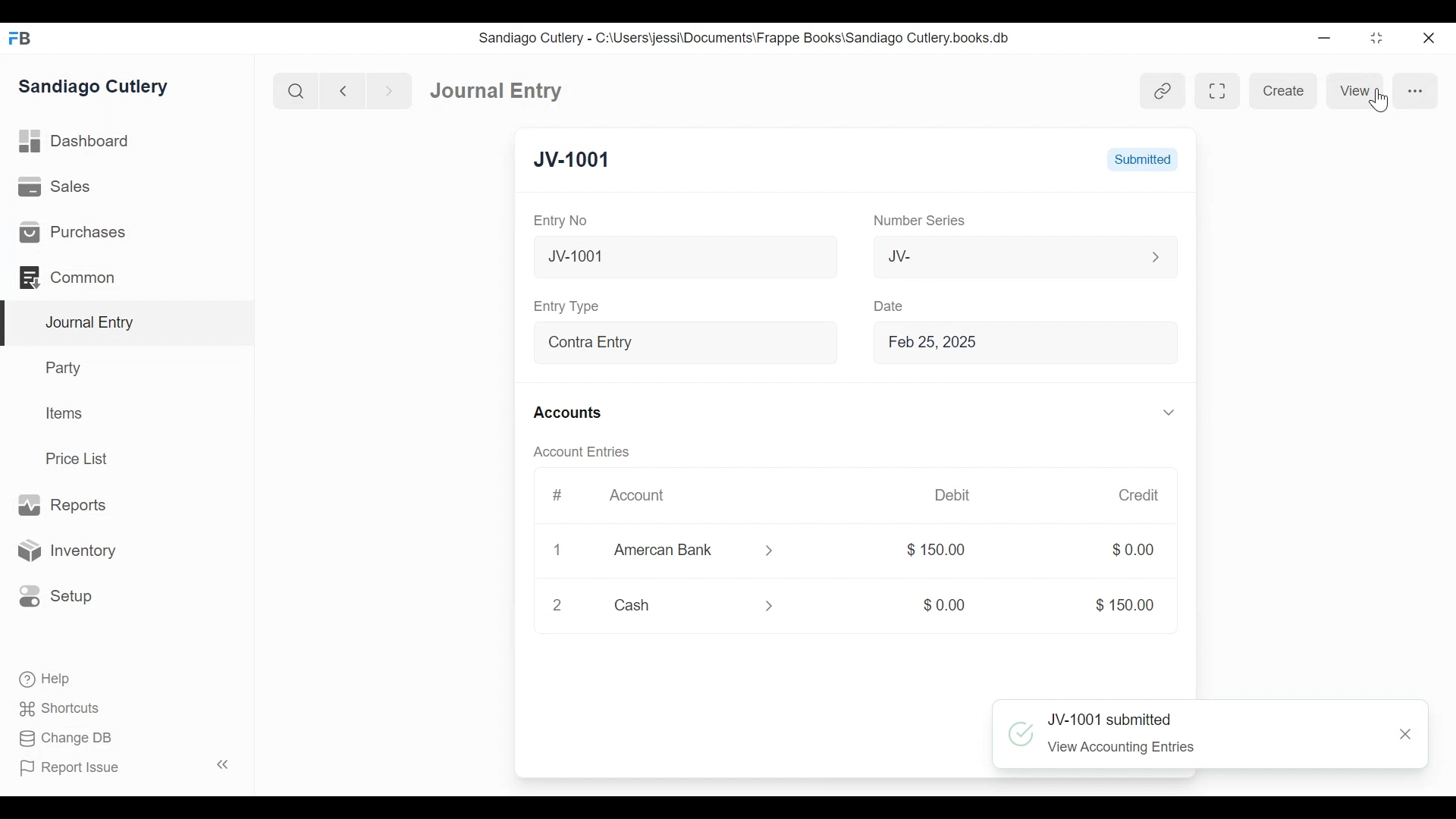 The height and width of the screenshot is (819, 1456). What do you see at coordinates (1134, 495) in the screenshot?
I see `Credit` at bounding box center [1134, 495].